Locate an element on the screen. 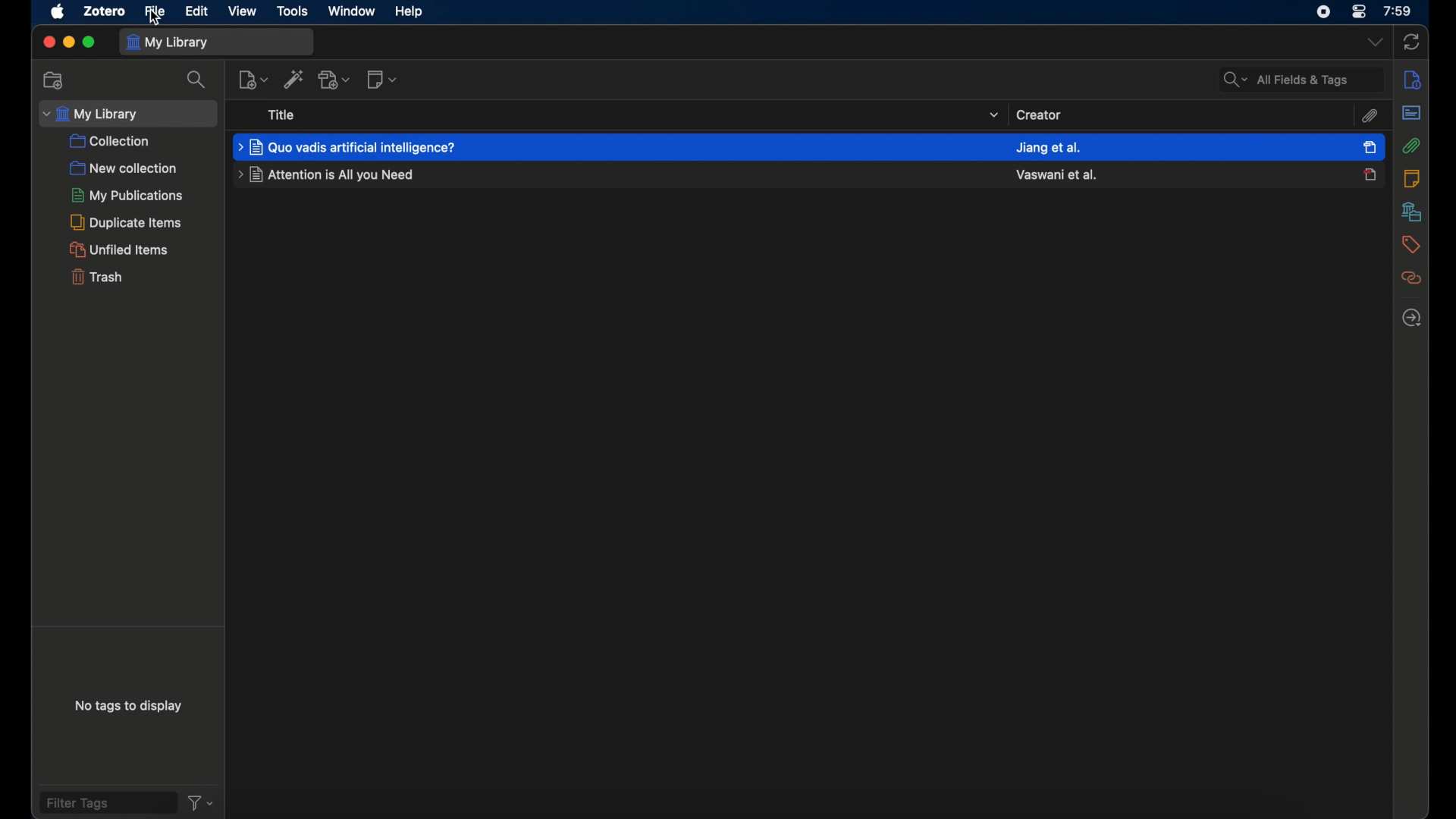 The width and height of the screenshot is (1456, 819). no tags to display is located at coordinates (129, 709).